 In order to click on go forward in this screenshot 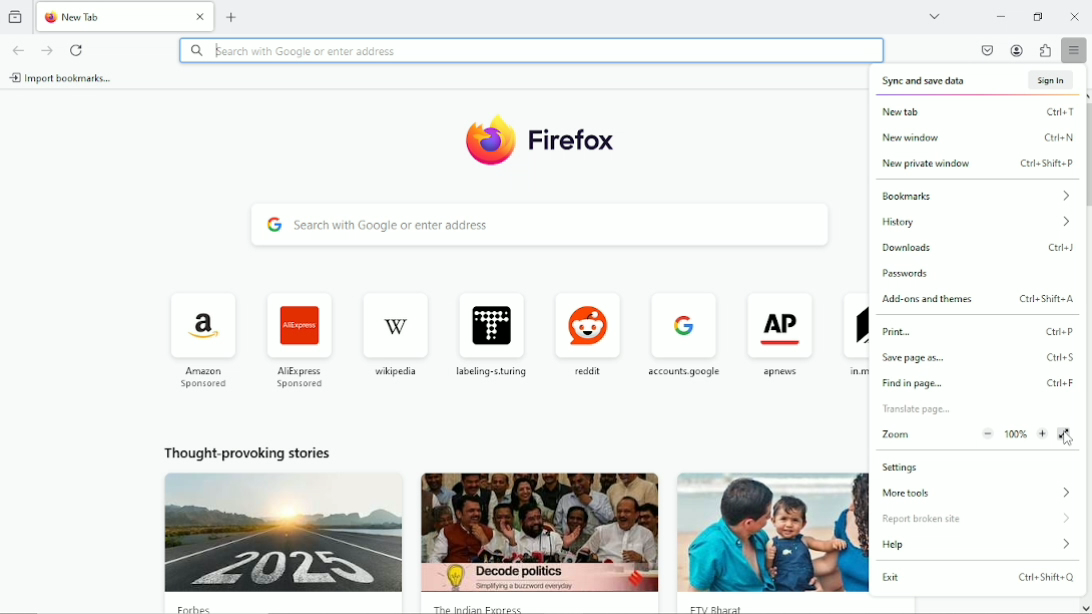, I will do `click(46, 50)`.